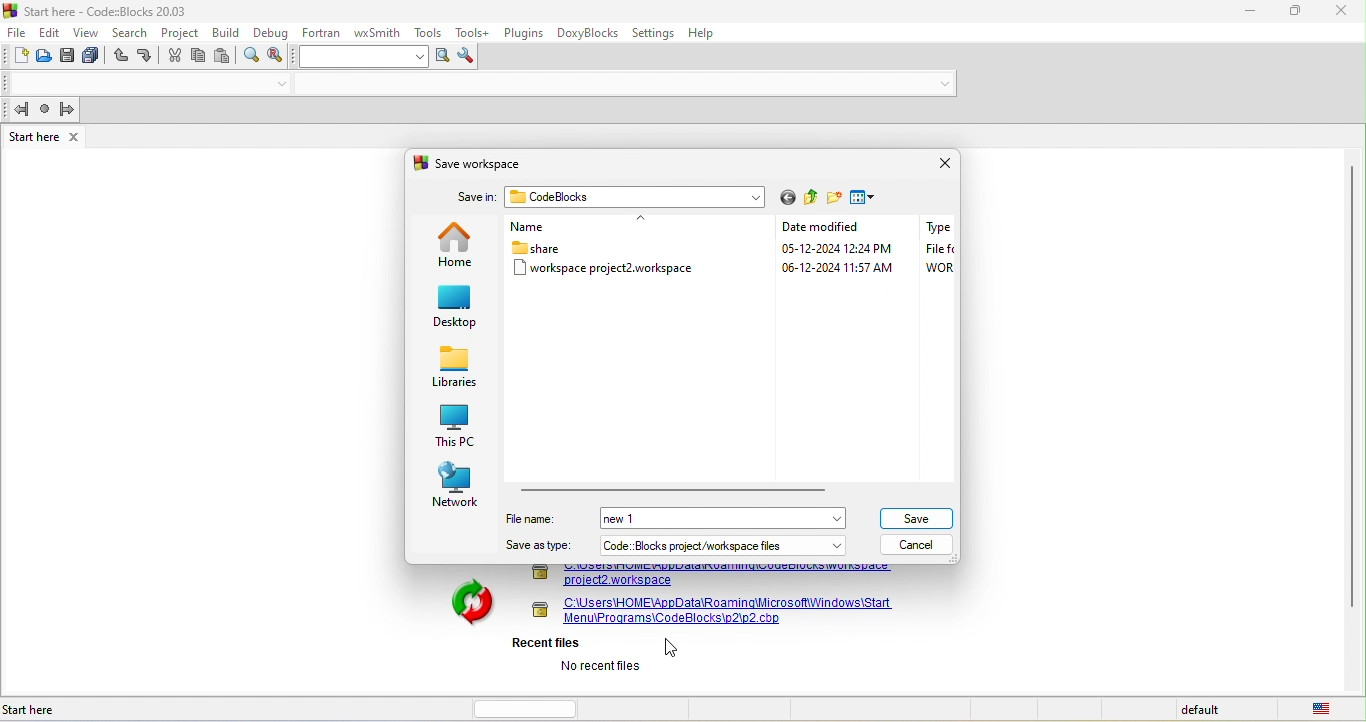  Describe the element at coordinates (457, 486) in the screenshot. I see `network` at that location.